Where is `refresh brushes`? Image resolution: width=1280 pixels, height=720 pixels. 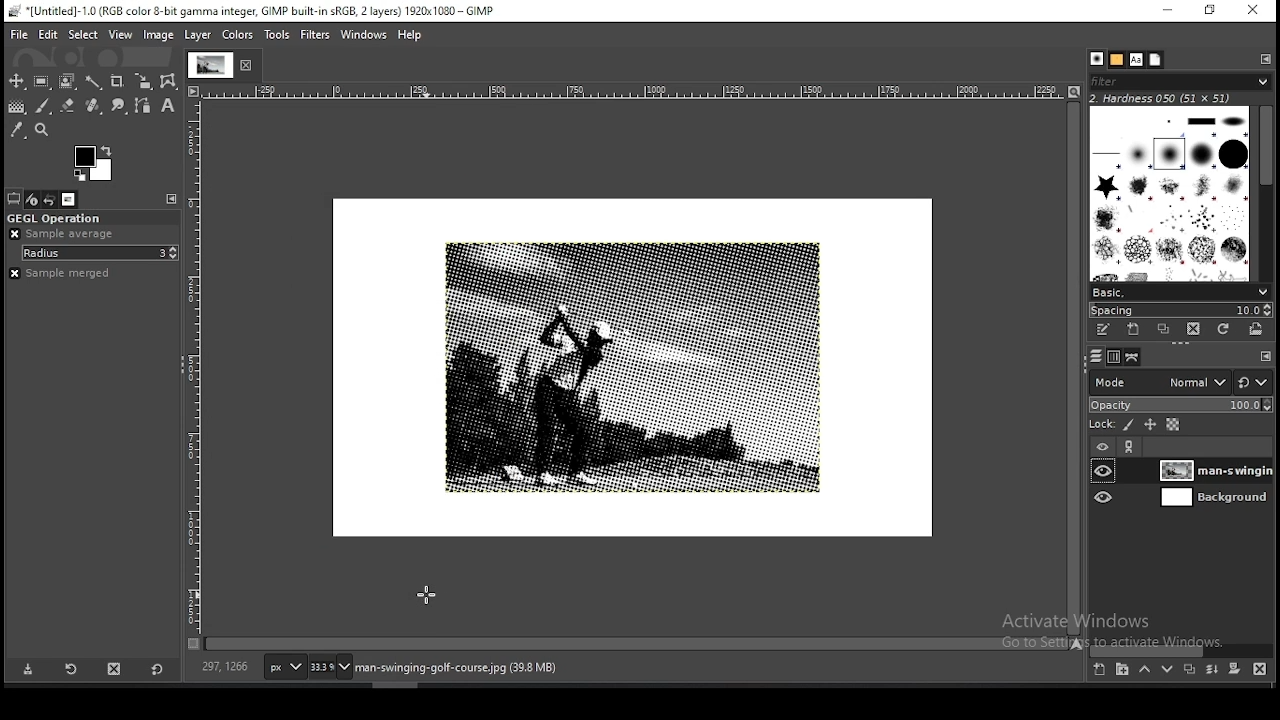 refresh brushes is located at coordinates (1225, 330).